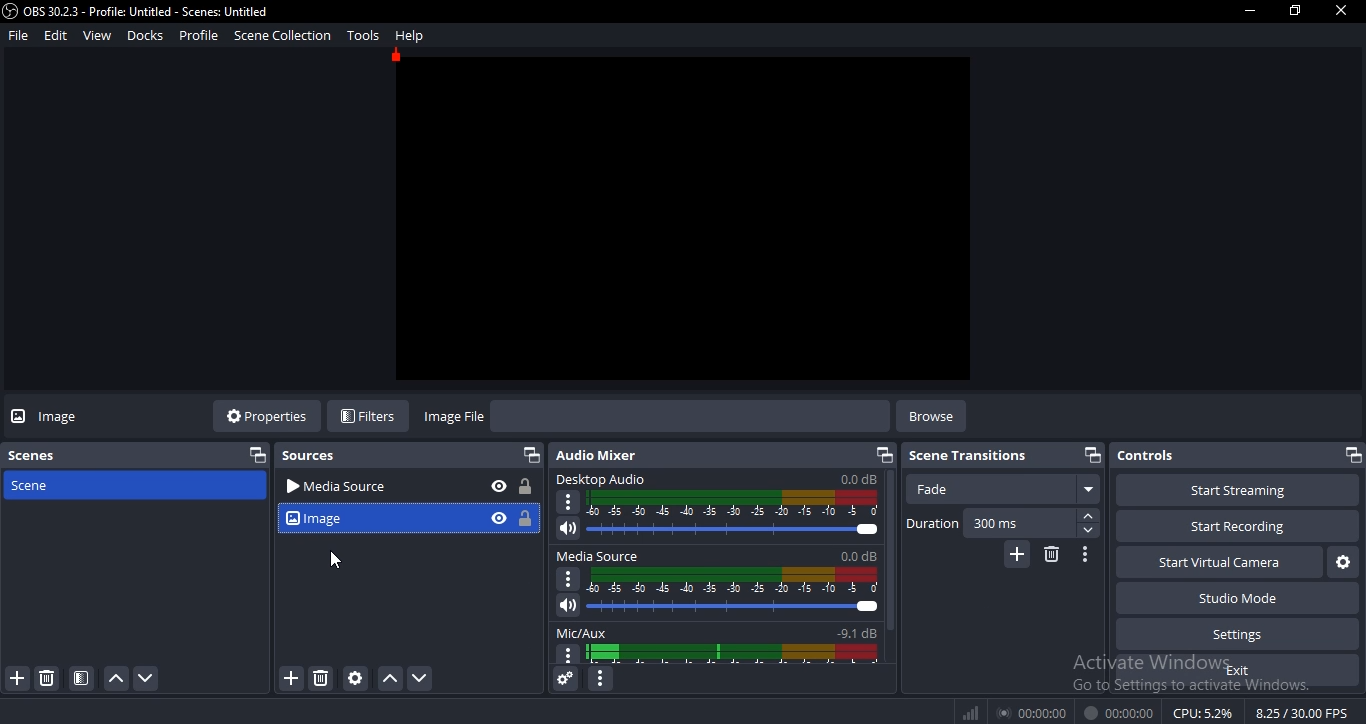 The width and height of the screenshot is (1366, 724). I want to click on move down, so click(418, 677).